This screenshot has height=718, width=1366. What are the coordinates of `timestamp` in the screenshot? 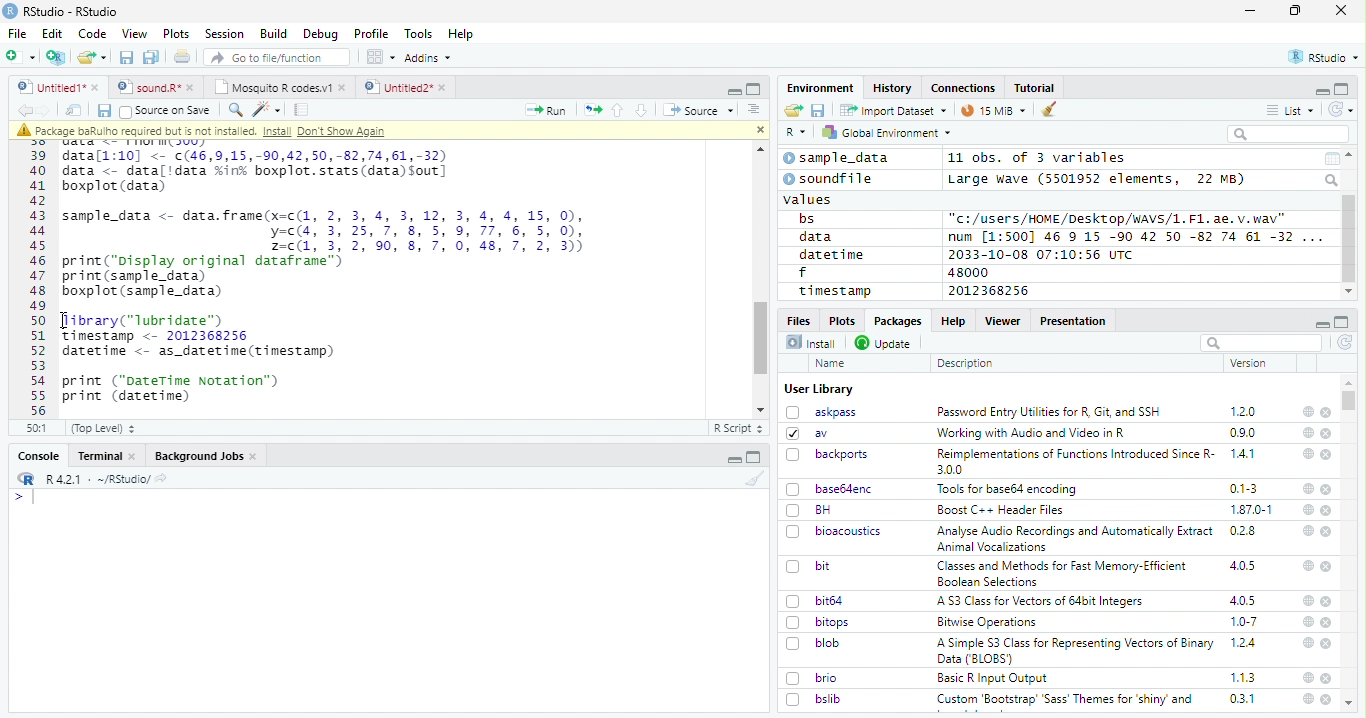 It's located at (834, 290).